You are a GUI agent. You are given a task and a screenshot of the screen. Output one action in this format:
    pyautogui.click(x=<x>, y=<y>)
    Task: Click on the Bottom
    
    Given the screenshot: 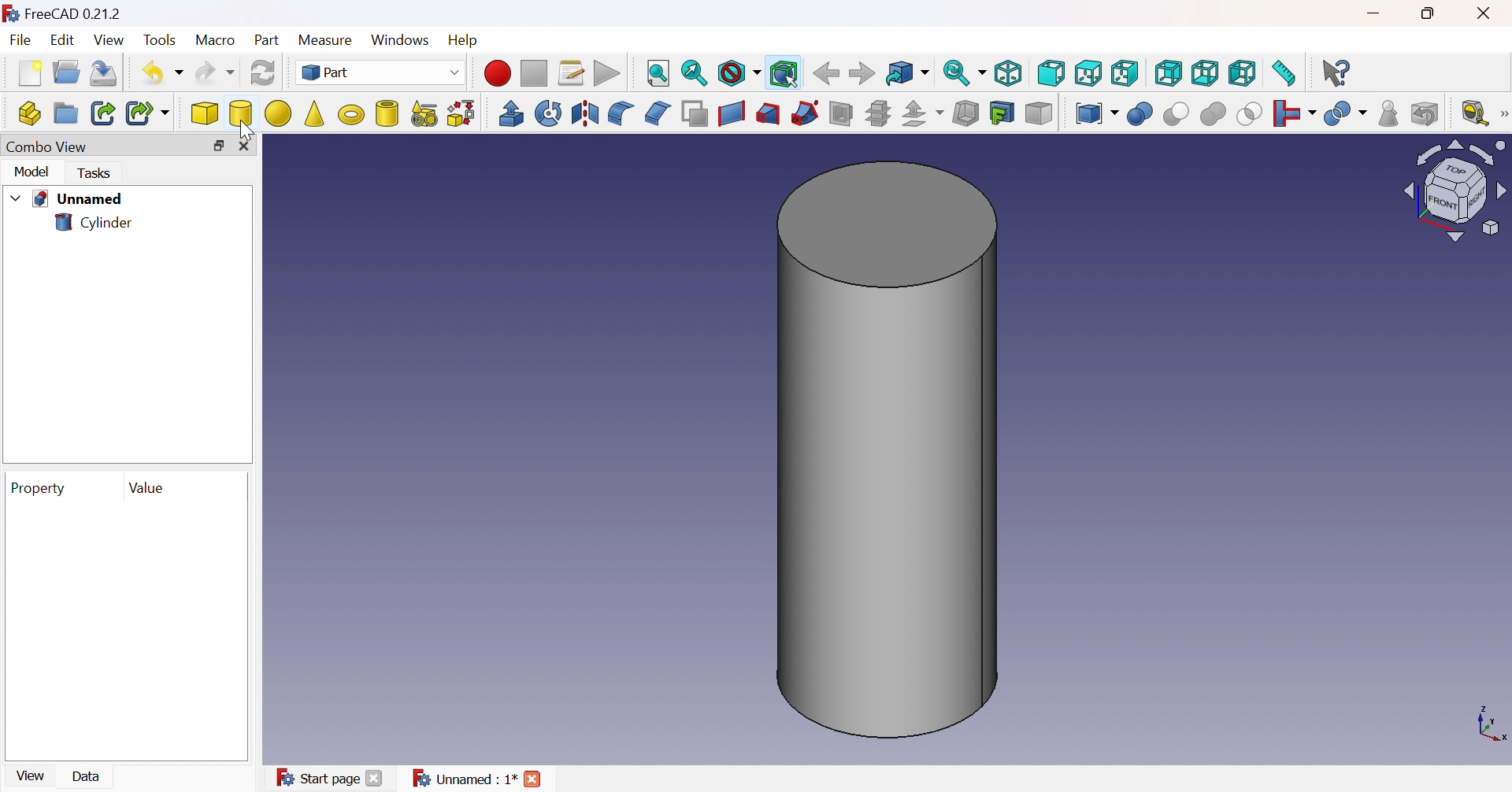 What is the action you would take?
    pyautogui.click(x=1206, y=74)
    